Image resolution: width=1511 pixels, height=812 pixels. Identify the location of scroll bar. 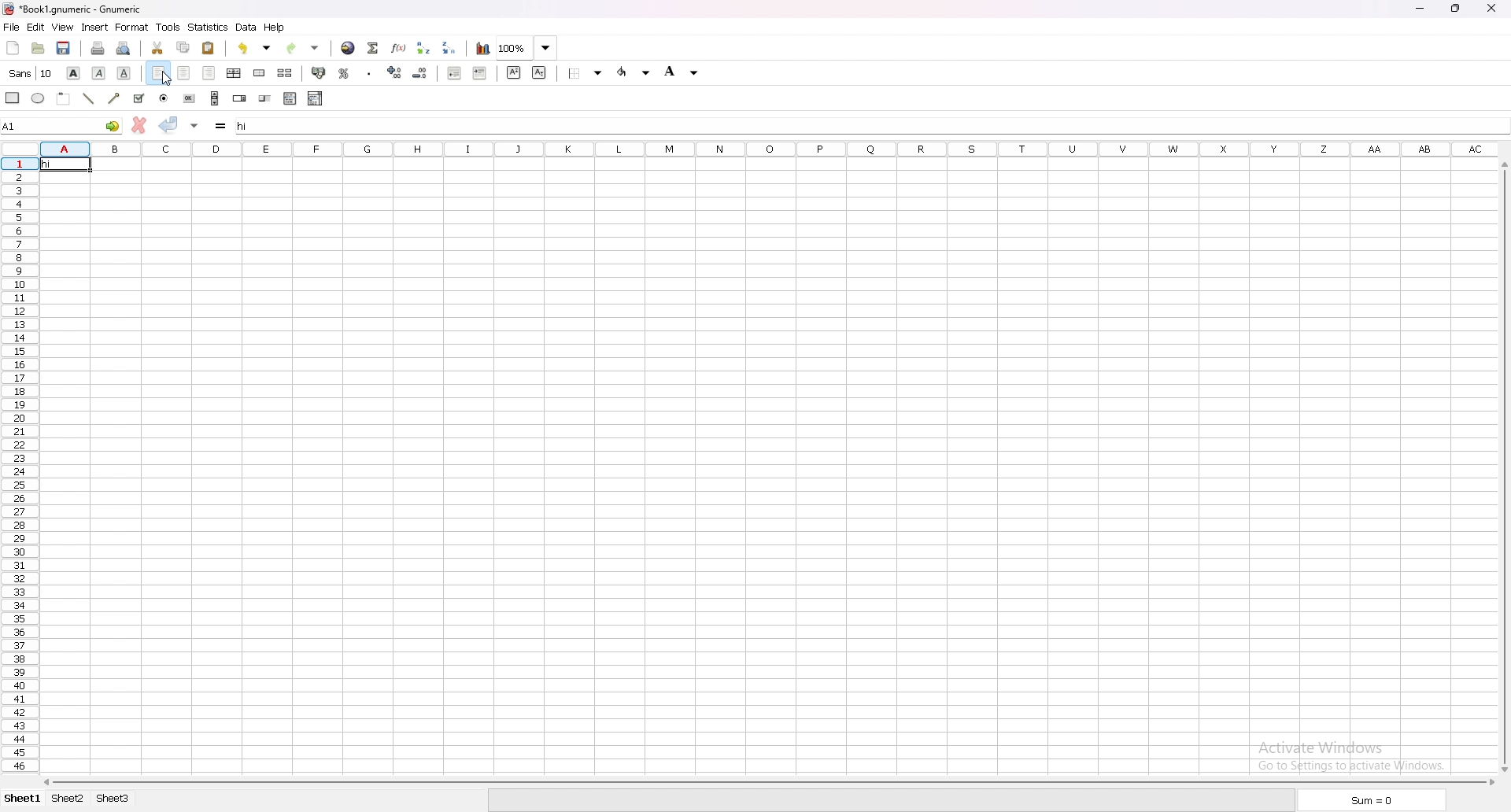
(768, 780).